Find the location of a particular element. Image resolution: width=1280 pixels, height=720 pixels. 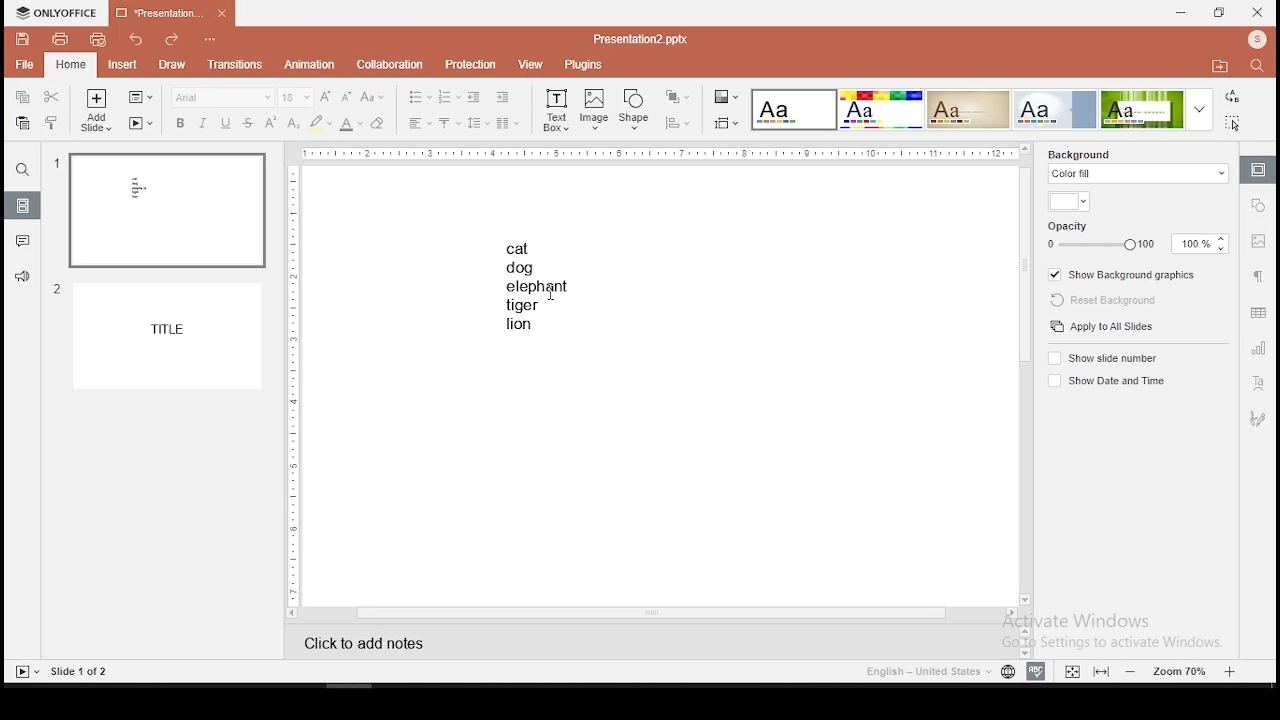

find is located at coordinates (1255, 65).